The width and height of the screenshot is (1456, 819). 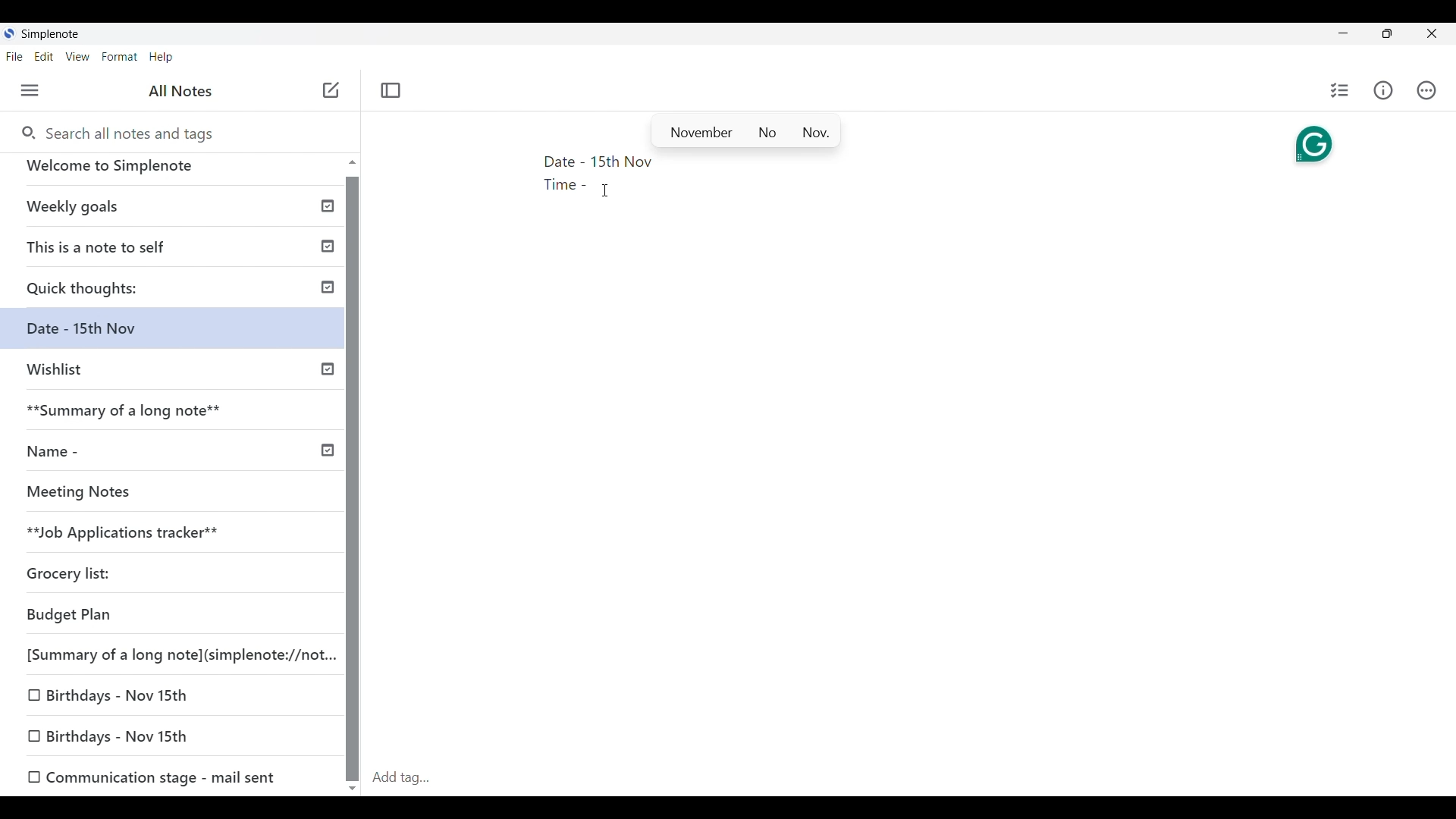 What do you see at coordinates (332, 90) in the screenshot?
I see `Add note` at bounding box center [332, 90].